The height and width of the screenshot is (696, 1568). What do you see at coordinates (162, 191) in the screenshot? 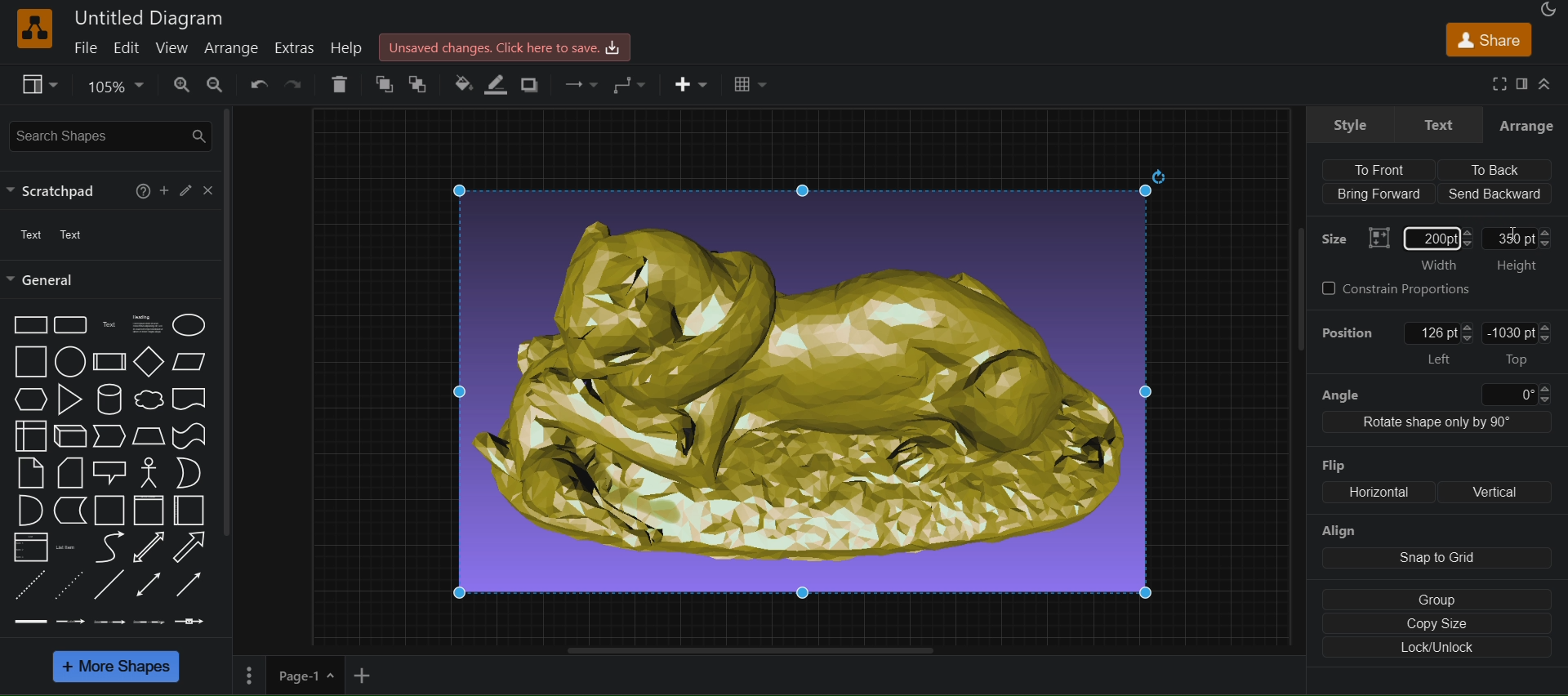
I see `Add` at bounding box center [162, 191].